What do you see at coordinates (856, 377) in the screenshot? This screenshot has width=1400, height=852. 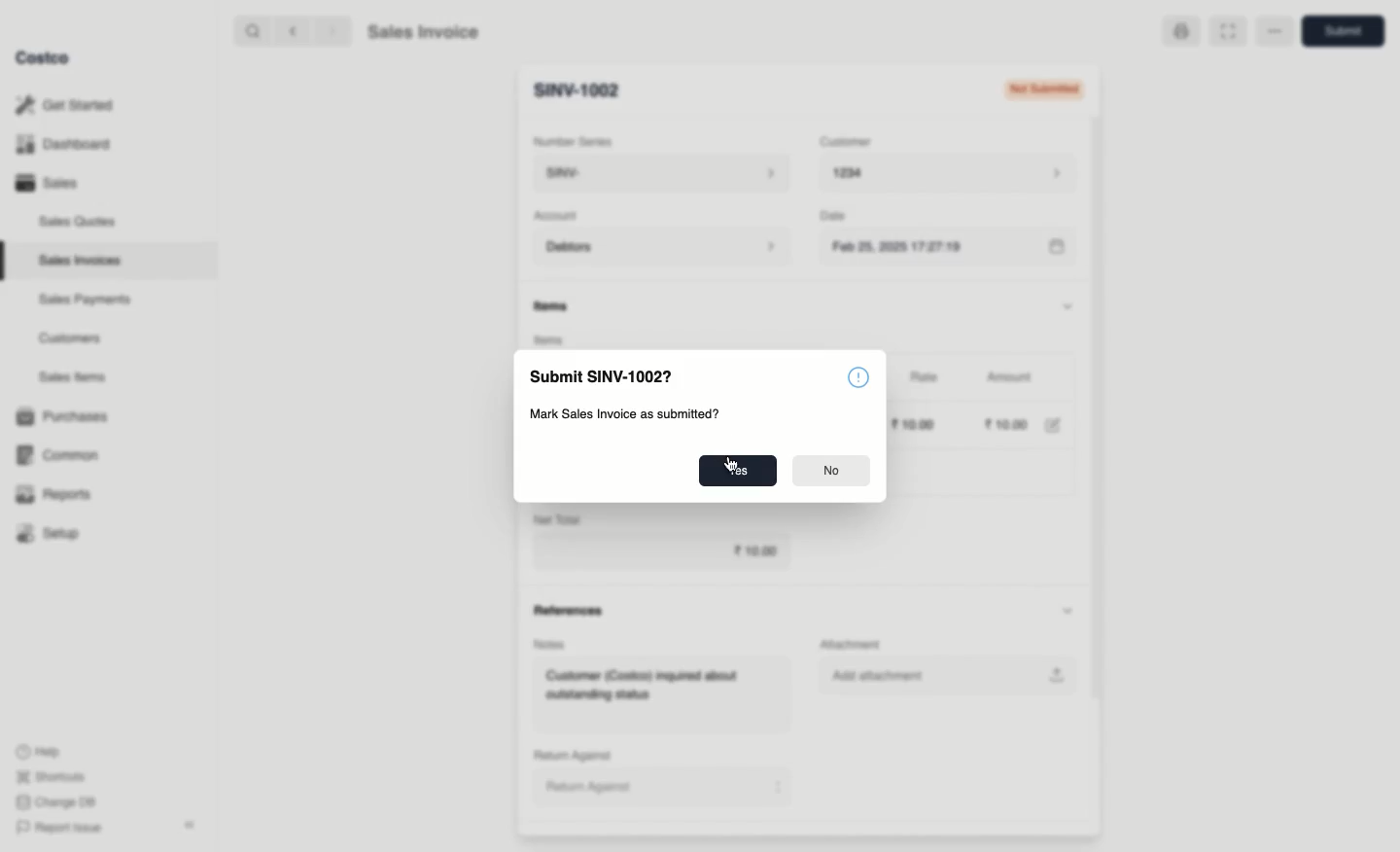 I see `Icon` at bounding box center [856, 377].